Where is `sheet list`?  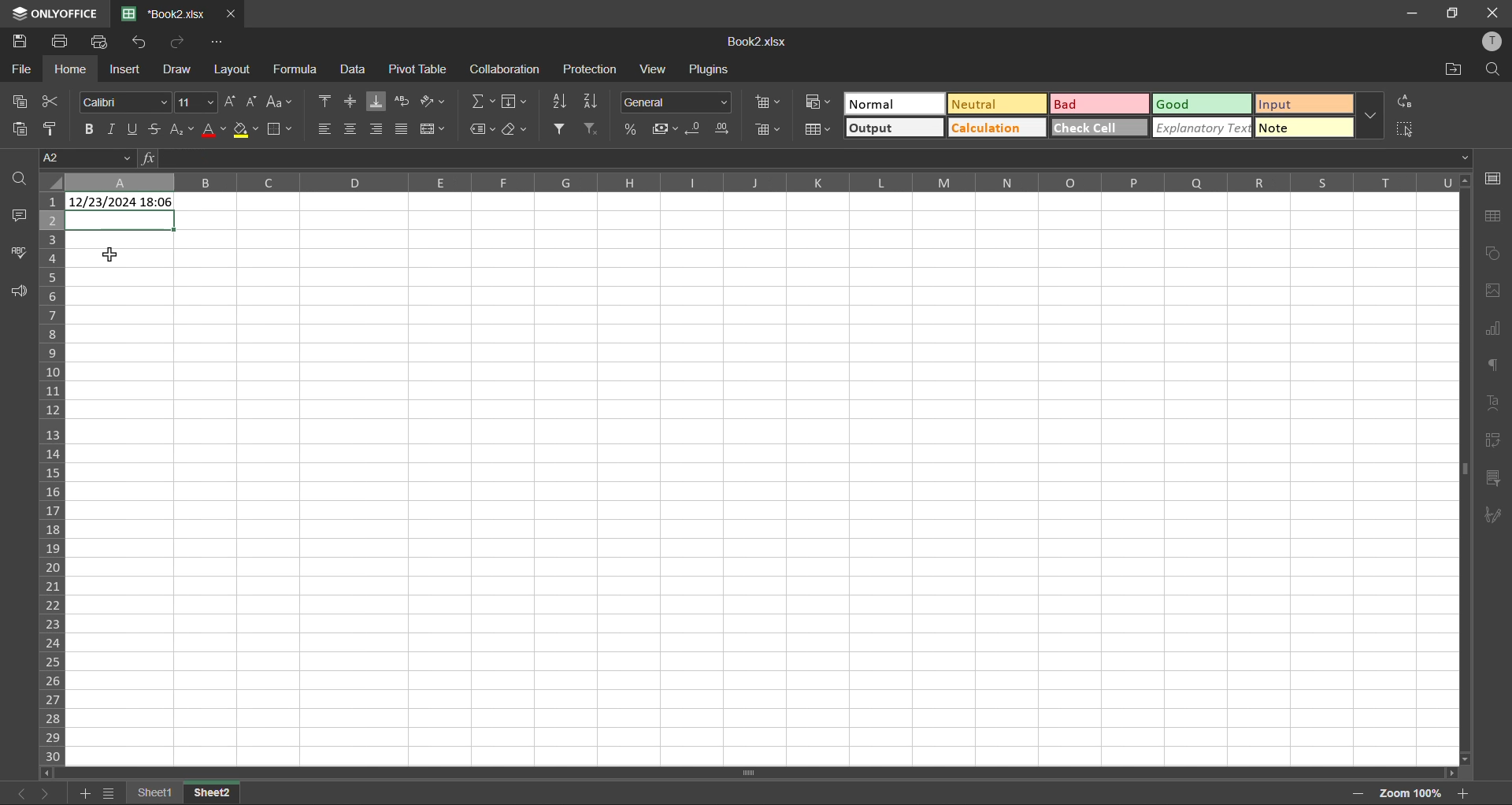 sheet list is located at coordinates (109, 794).